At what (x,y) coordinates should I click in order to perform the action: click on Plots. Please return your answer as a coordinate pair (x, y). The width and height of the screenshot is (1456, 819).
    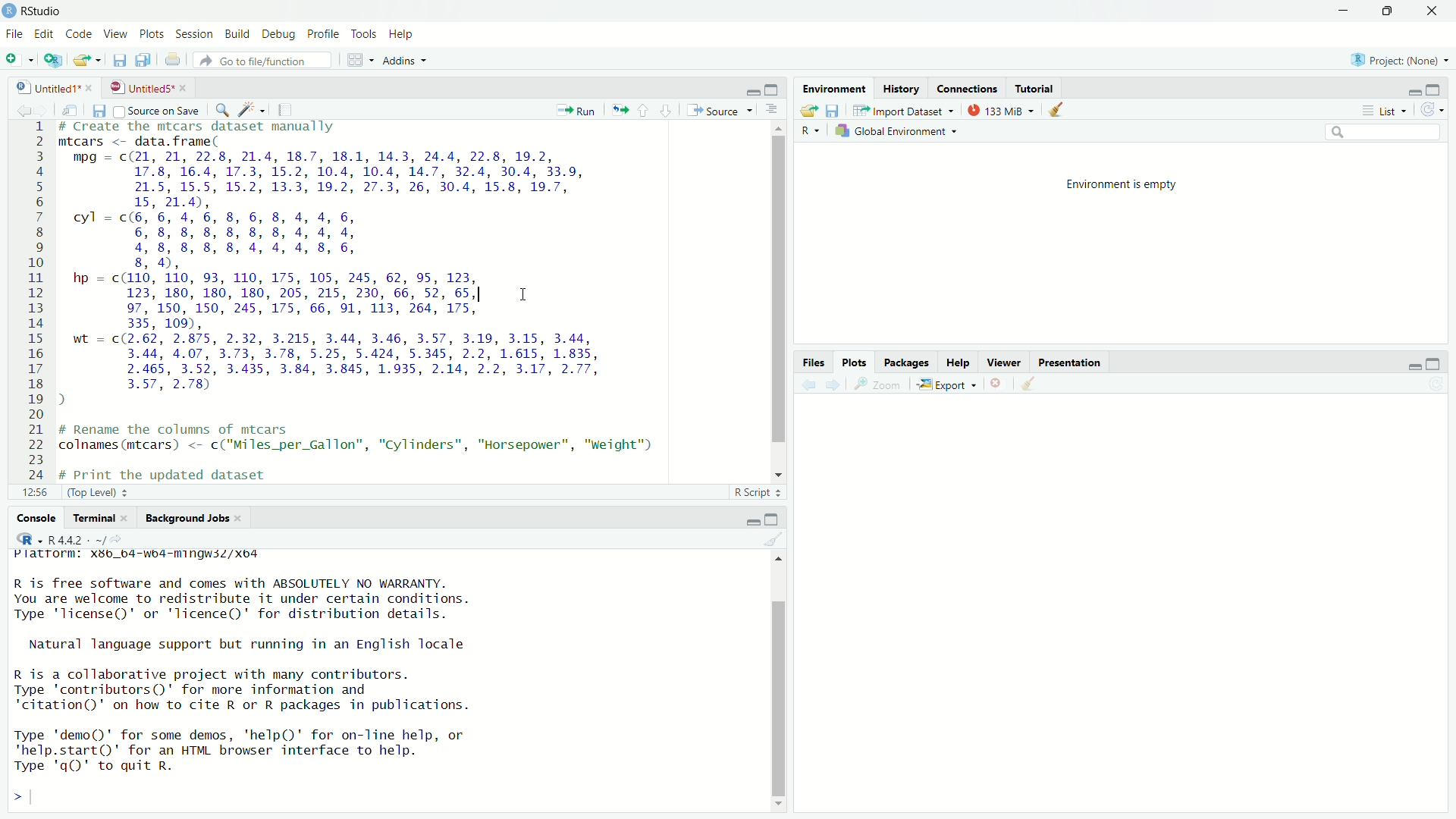
    Looking at the image, I should click on (150, 33).